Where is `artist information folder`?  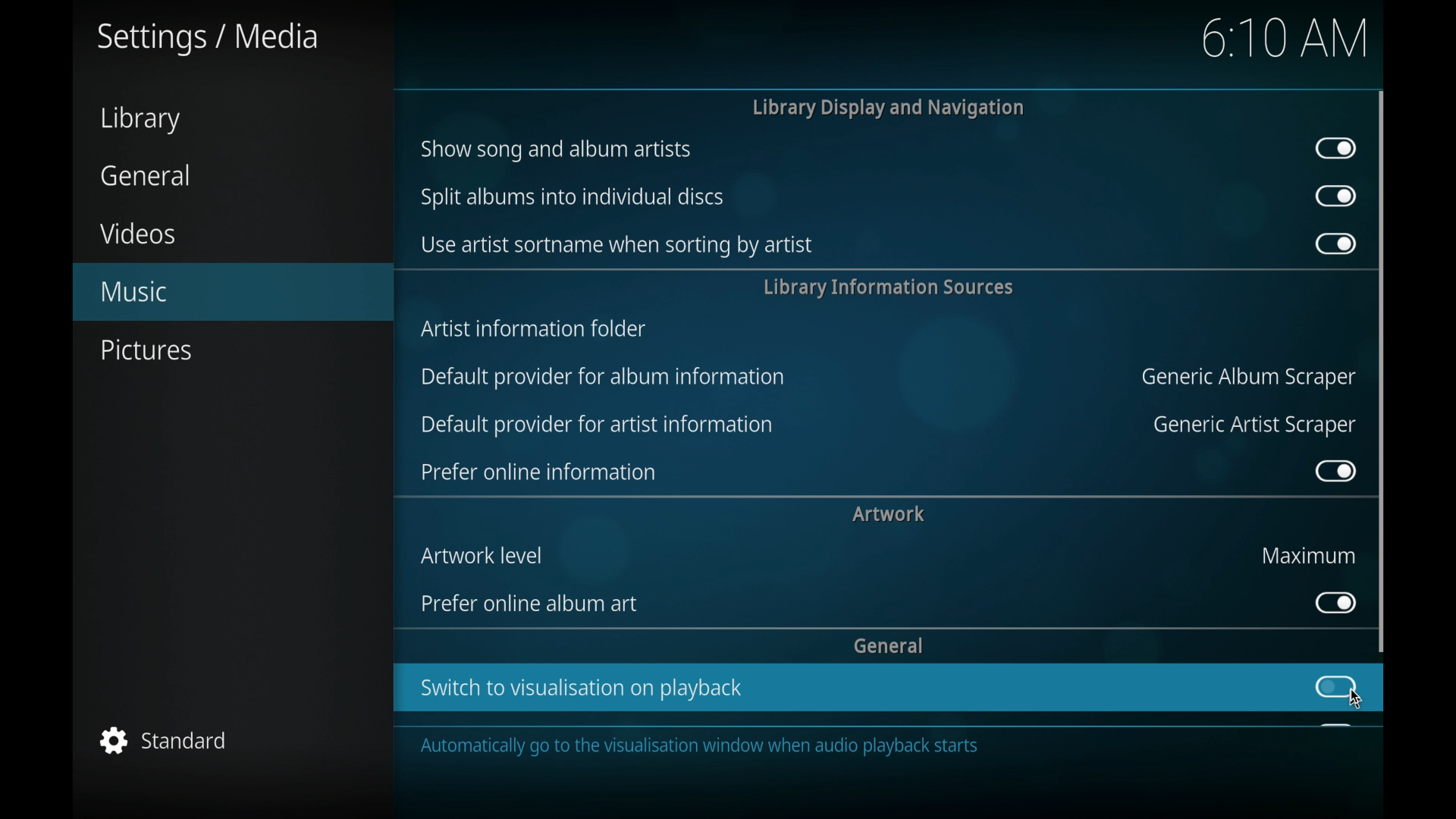
artist information folder is located at coordinates (535, 328).